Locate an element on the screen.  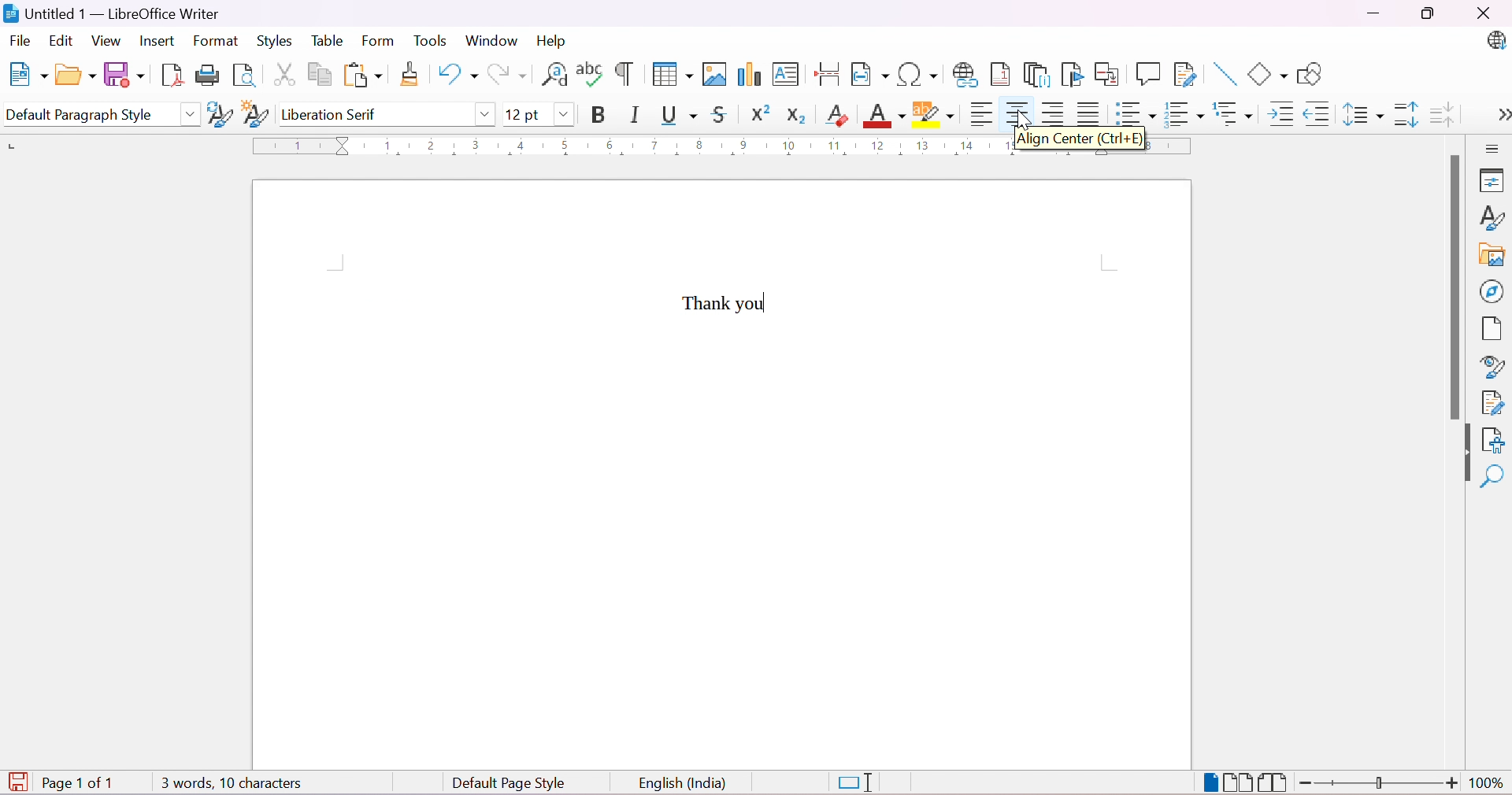
Decrease Indent is located at coordinates (1317, 113).